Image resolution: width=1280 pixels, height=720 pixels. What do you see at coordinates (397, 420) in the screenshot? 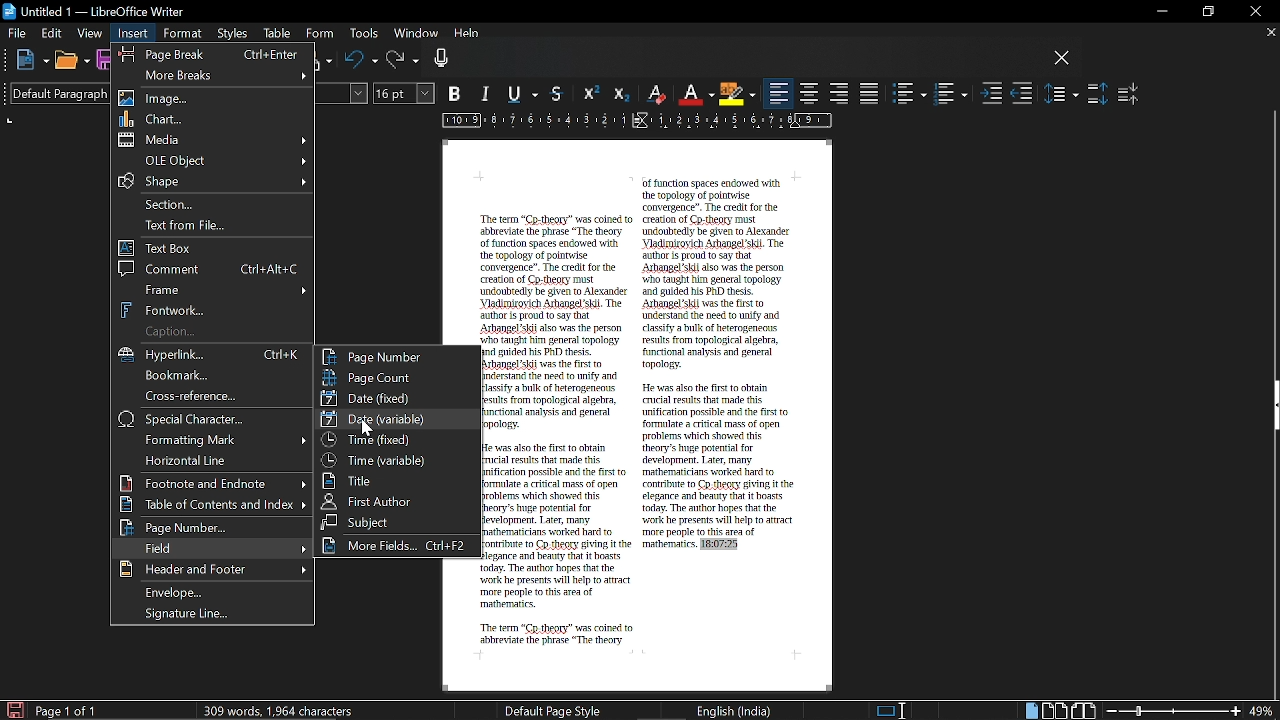
I see `Date date variable` at bounding box center [397, 420].